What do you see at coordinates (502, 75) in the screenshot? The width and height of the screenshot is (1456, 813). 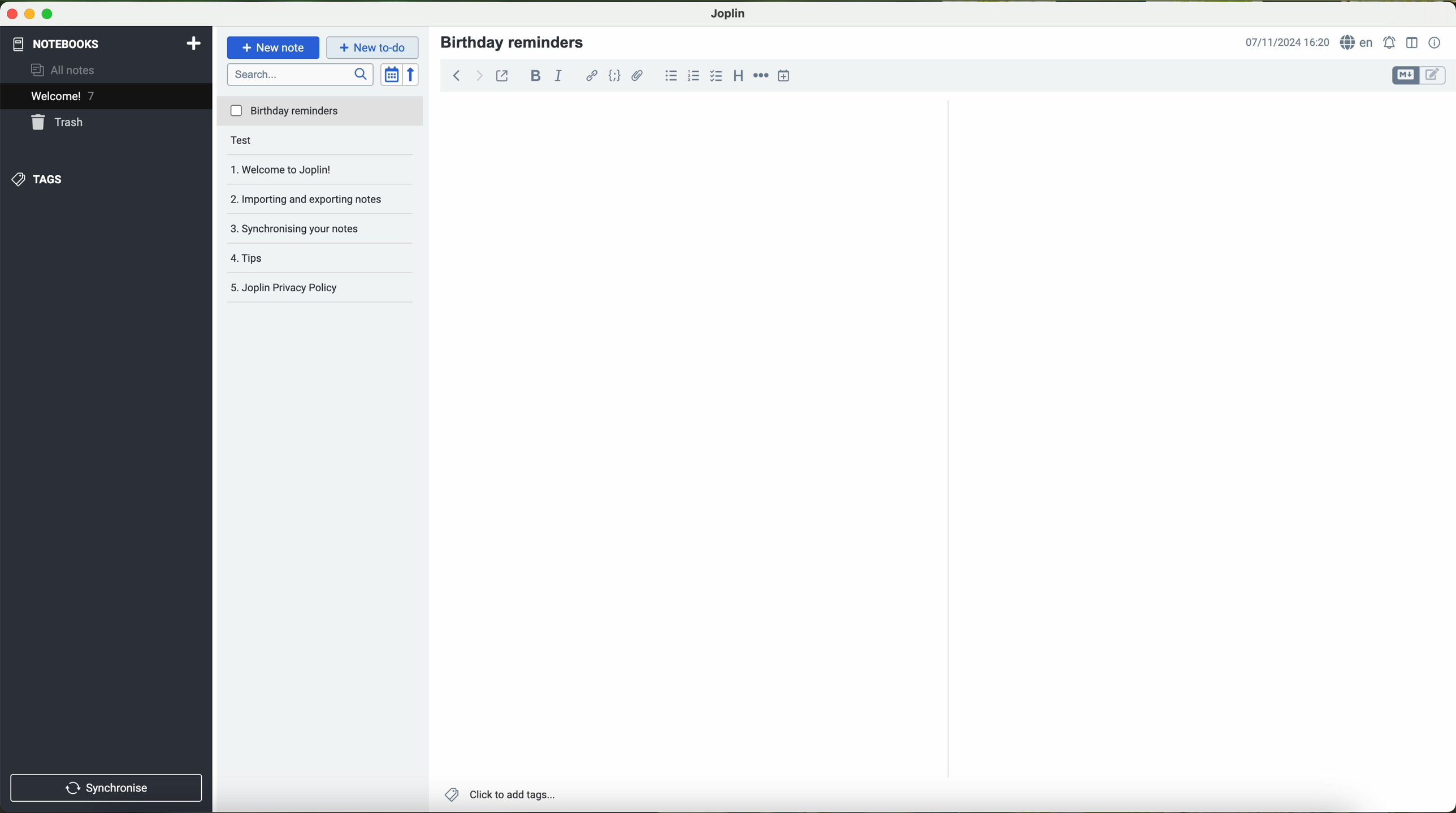 I see `toggle external editing` at bounding box center [502, 75].